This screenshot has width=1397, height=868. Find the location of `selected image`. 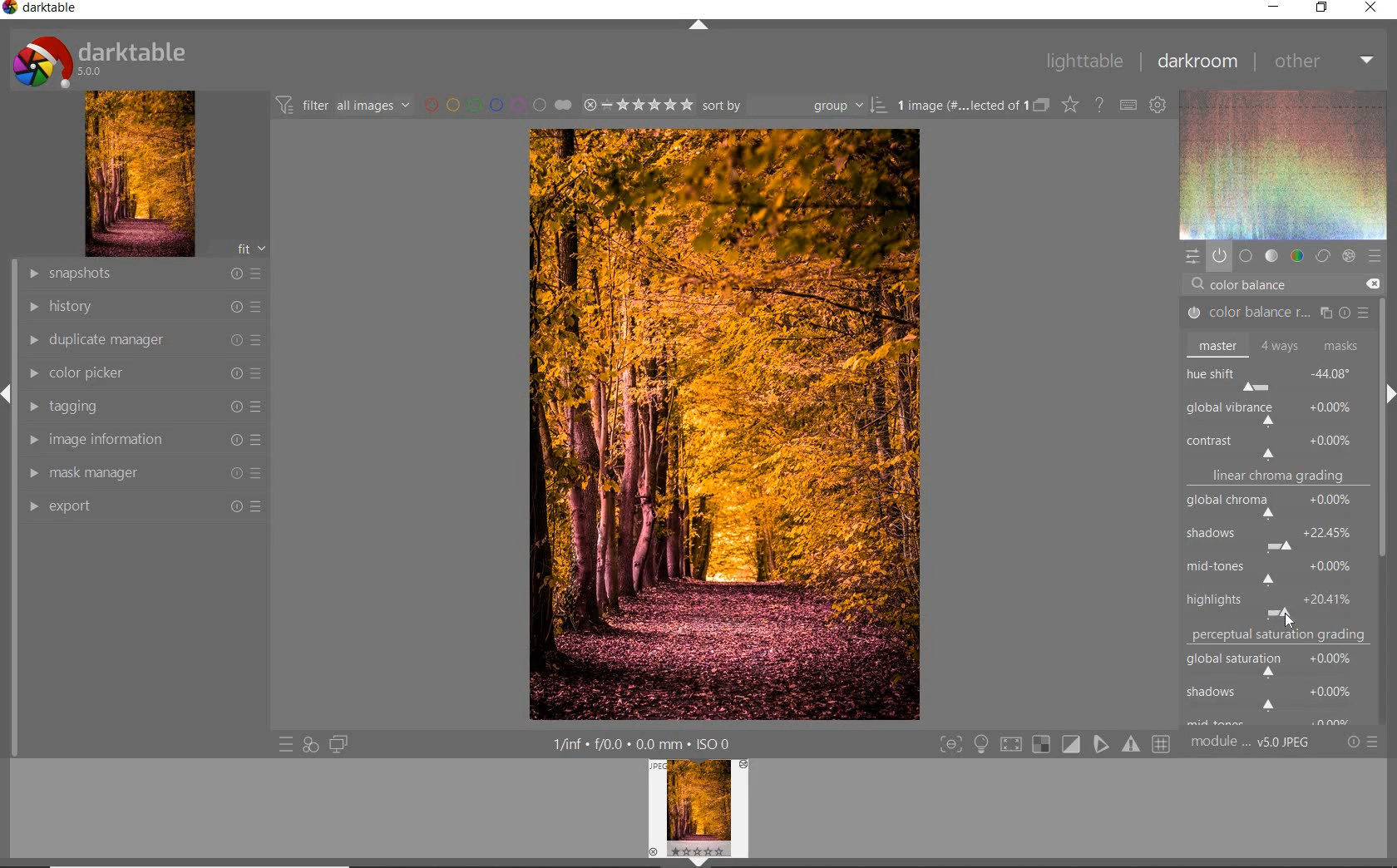

selected image is located at coordinates (723, 425).